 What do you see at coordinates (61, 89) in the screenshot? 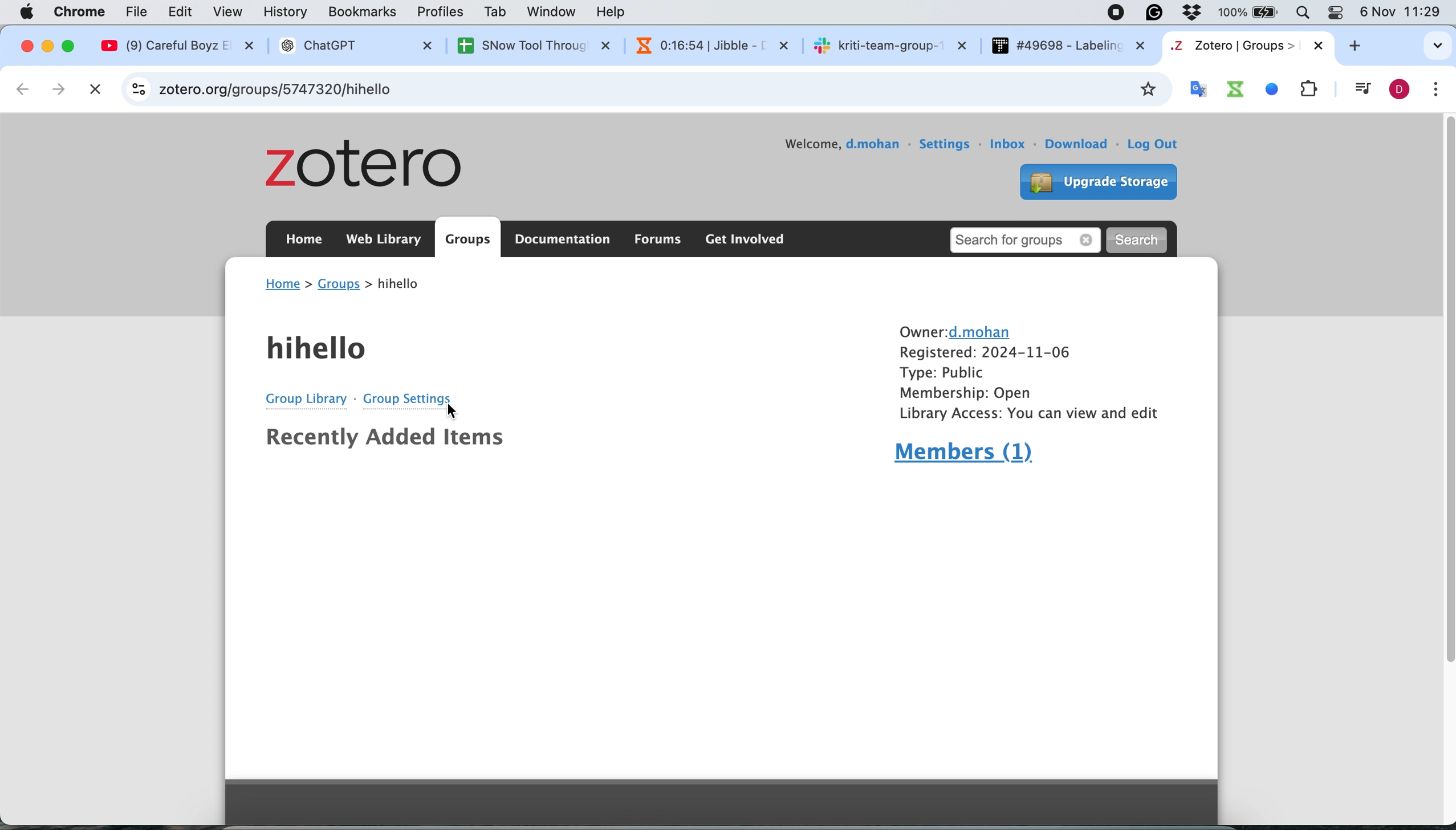
I see `go forward` at bounding box center [61, 89].